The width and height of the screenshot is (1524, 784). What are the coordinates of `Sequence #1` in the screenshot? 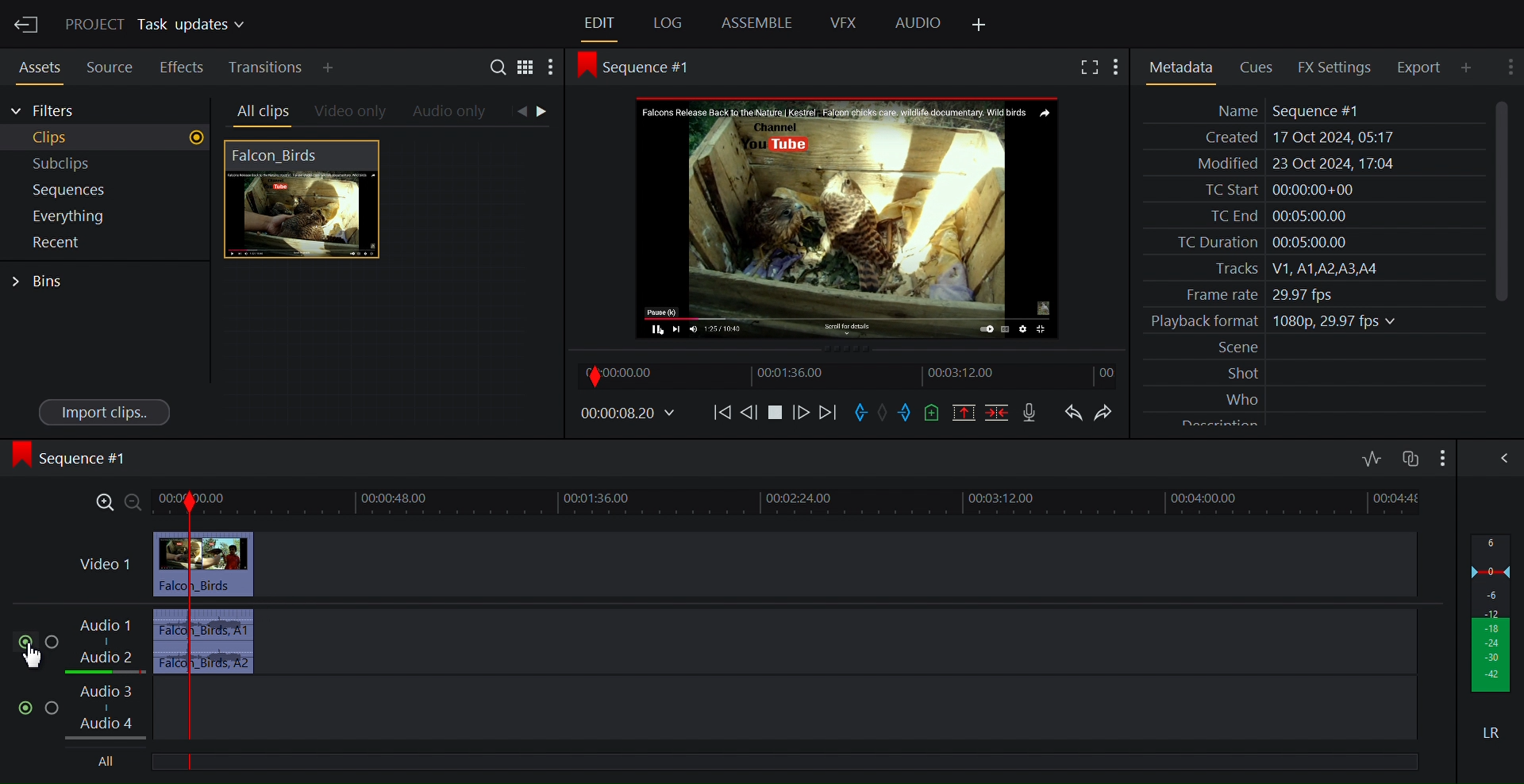 It's located at (75, 458).